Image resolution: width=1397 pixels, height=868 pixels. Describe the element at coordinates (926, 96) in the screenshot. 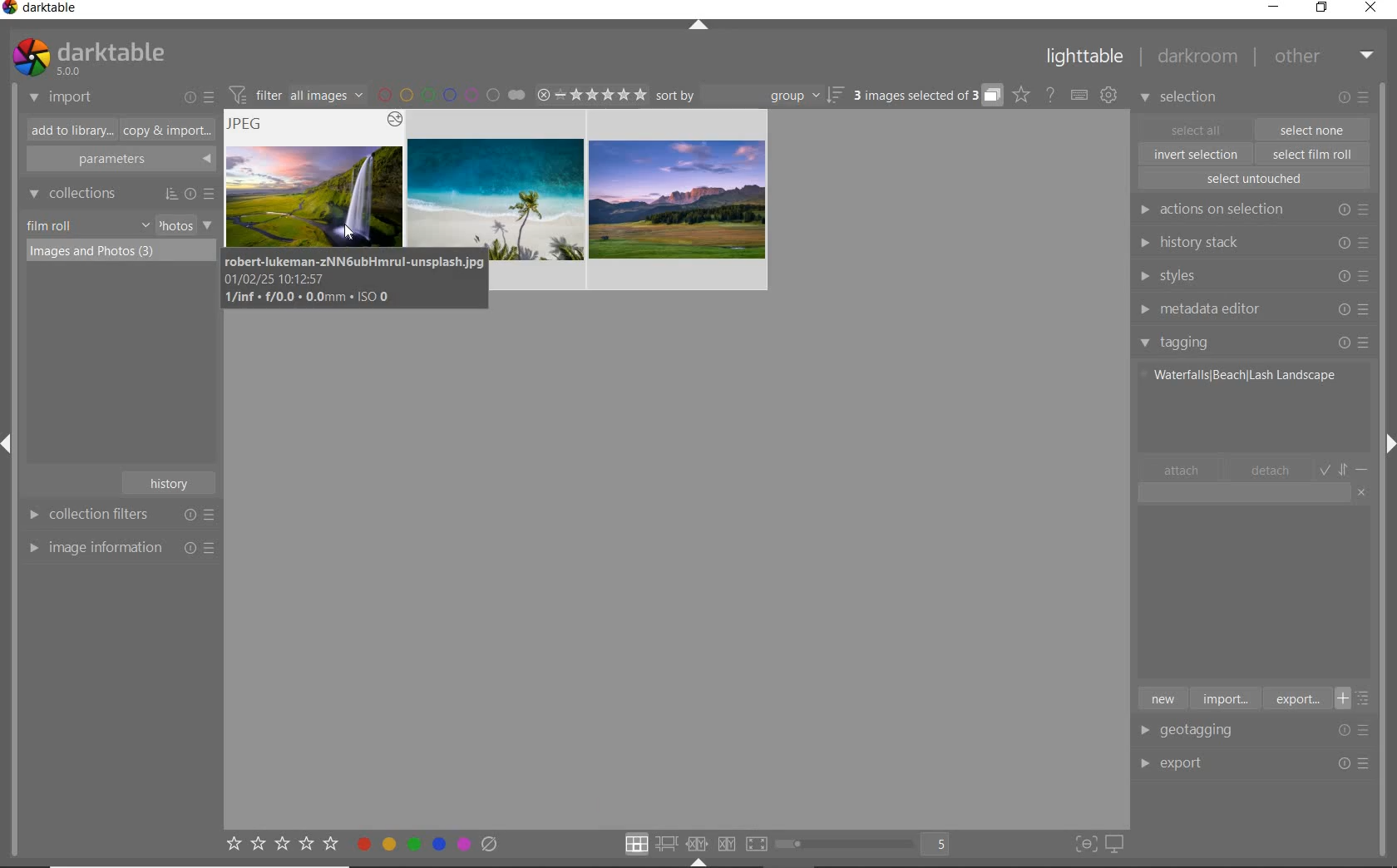

I see `expand grouped images` at that location.